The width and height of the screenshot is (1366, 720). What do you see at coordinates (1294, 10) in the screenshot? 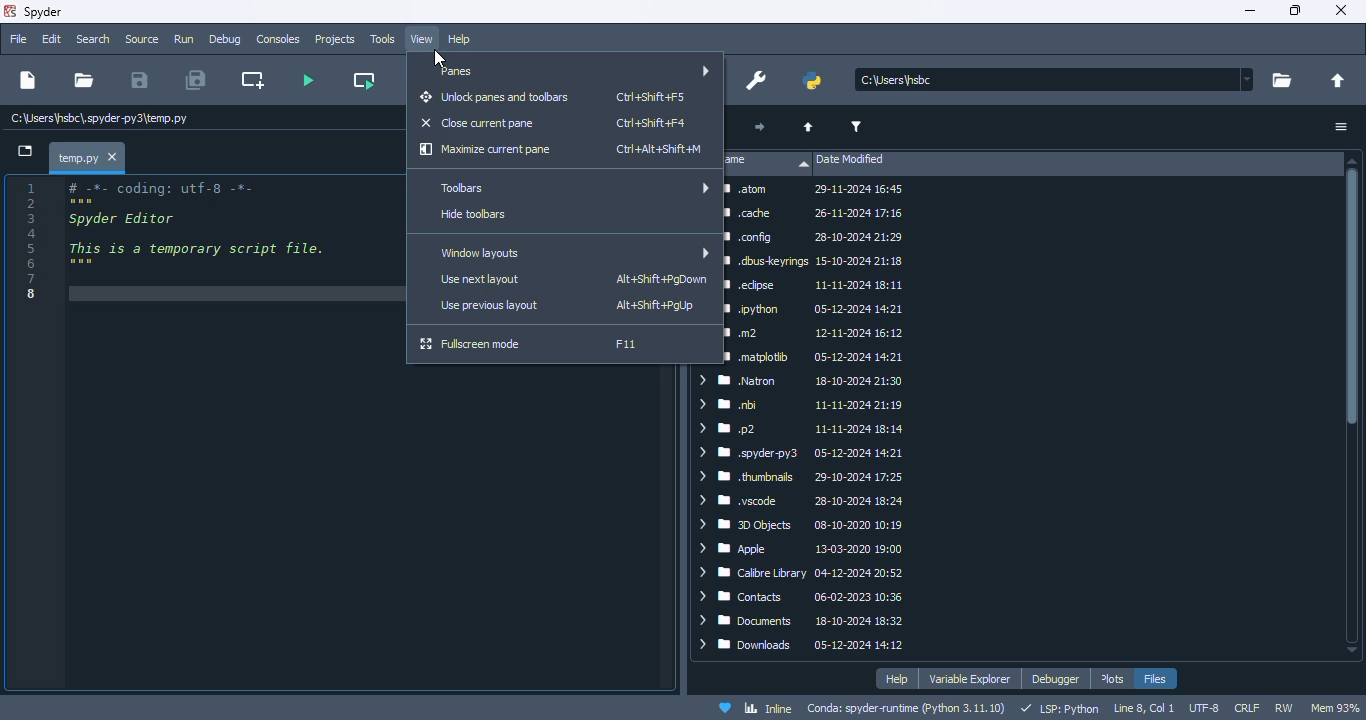
I see `maximize` at bounding box center [1294, 10].